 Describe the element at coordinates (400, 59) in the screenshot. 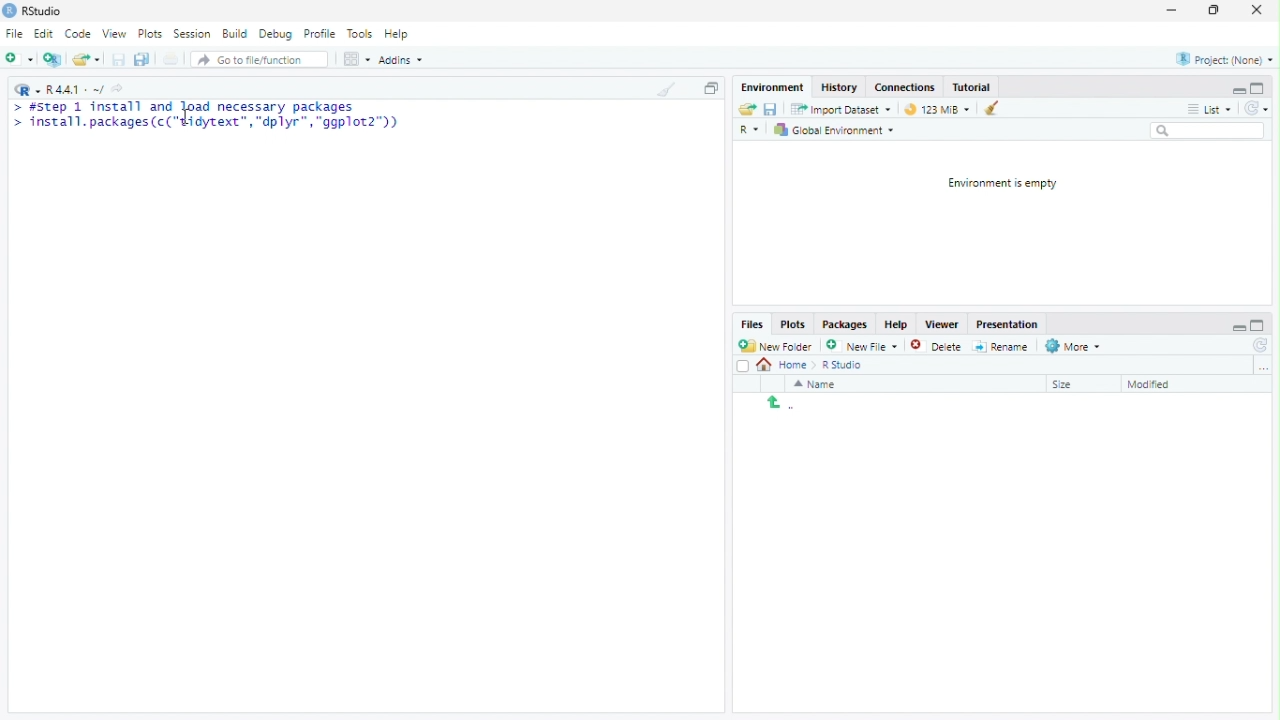

I see `Addins ~` at that location.